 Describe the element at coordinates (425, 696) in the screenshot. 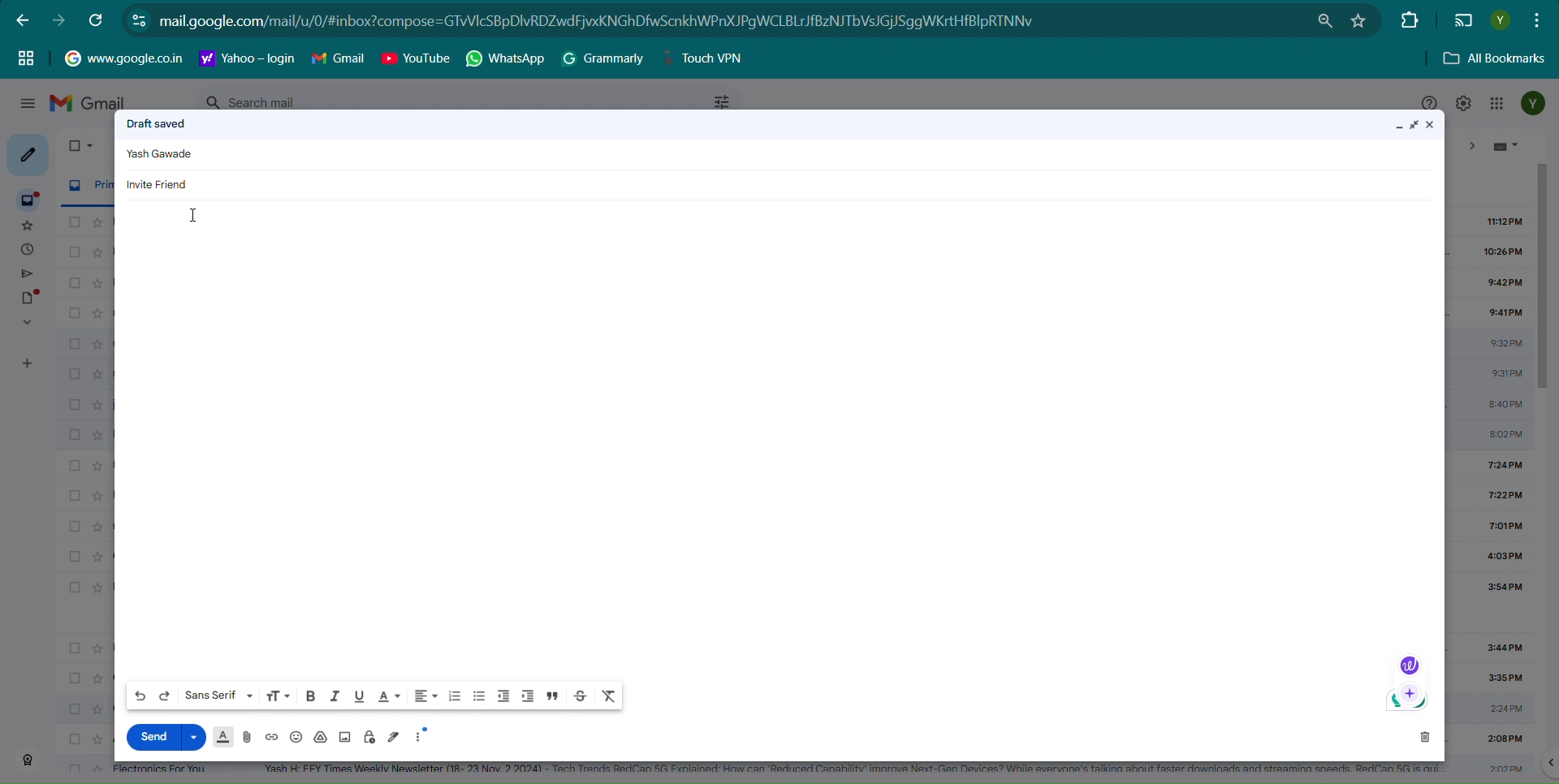

I see `Aligned` at that location.